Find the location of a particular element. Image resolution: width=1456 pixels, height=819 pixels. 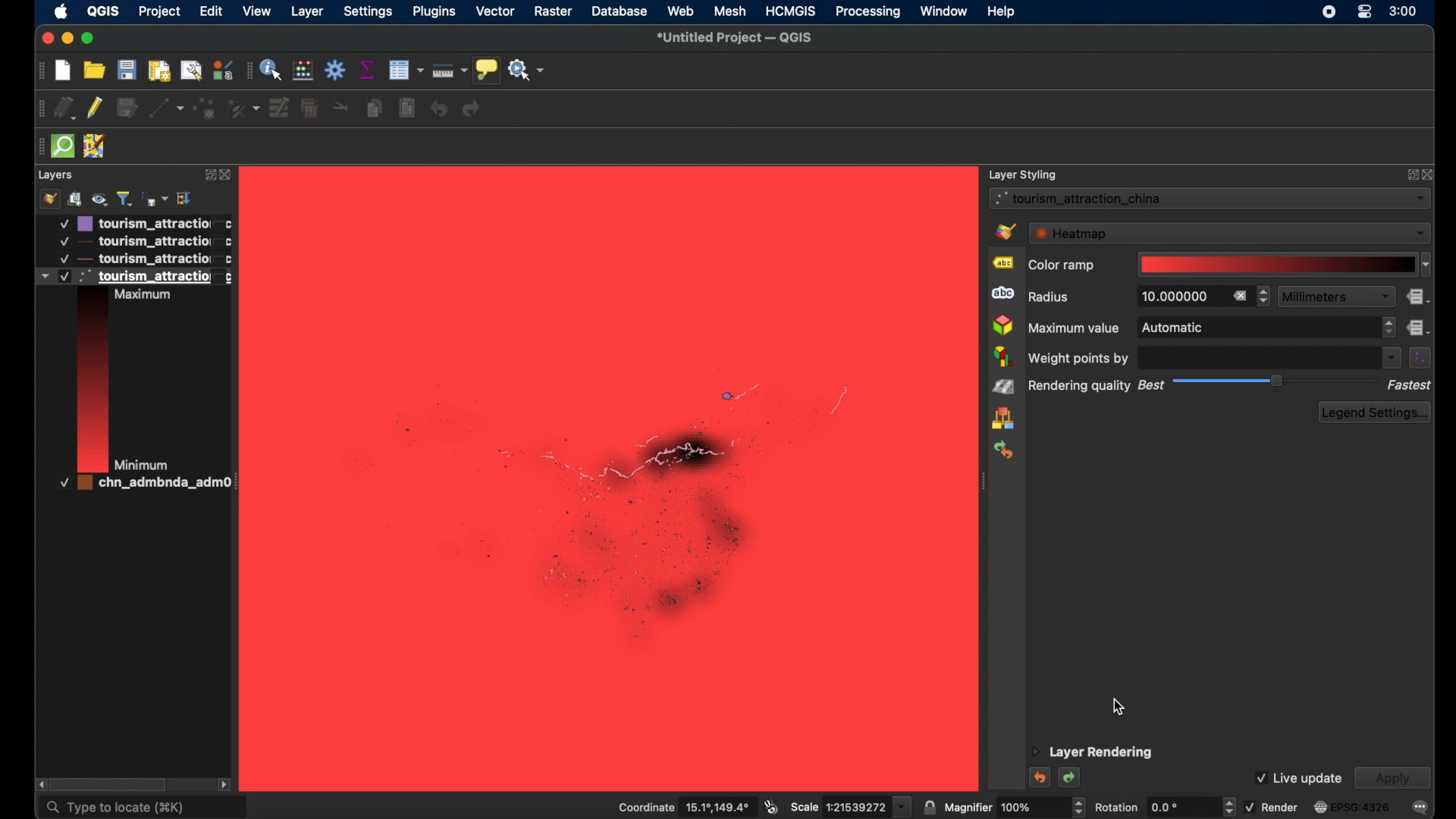

color ramp is located at coordinates (1061, 266).